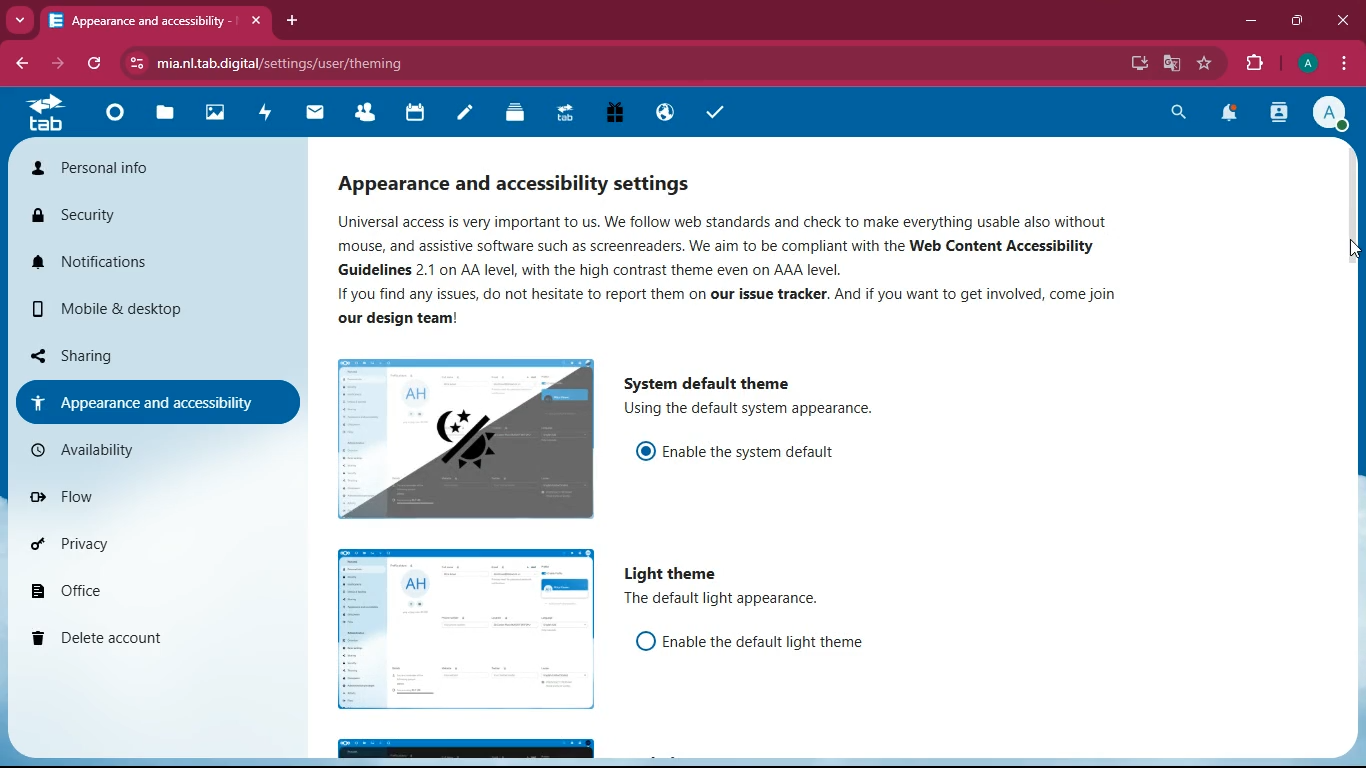  Describe the element at coordinates (777, 641) in the screenshot. I see `enable` at that location.